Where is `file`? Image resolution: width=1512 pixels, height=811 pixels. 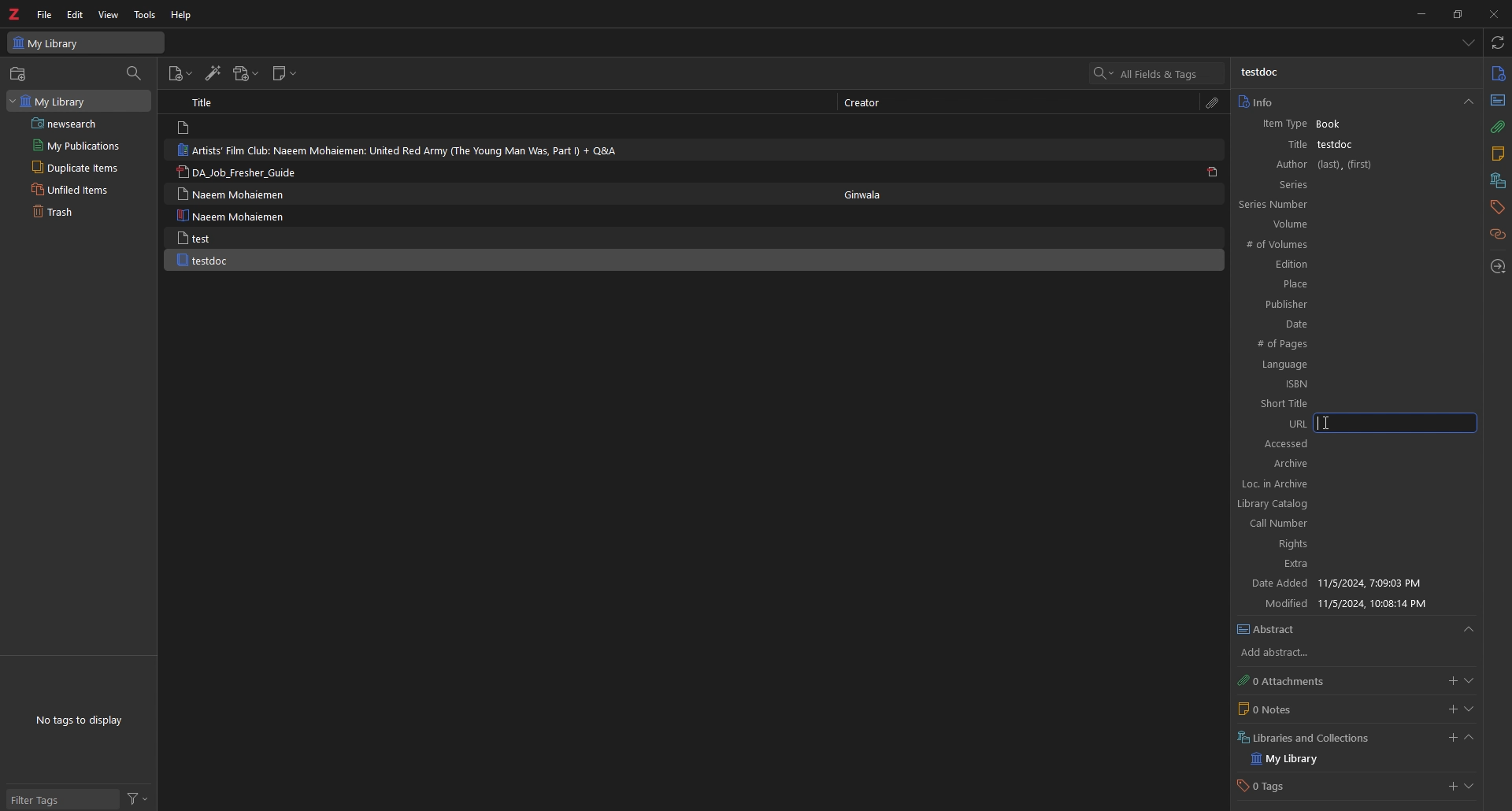
file is located at coordinates (45, 15).